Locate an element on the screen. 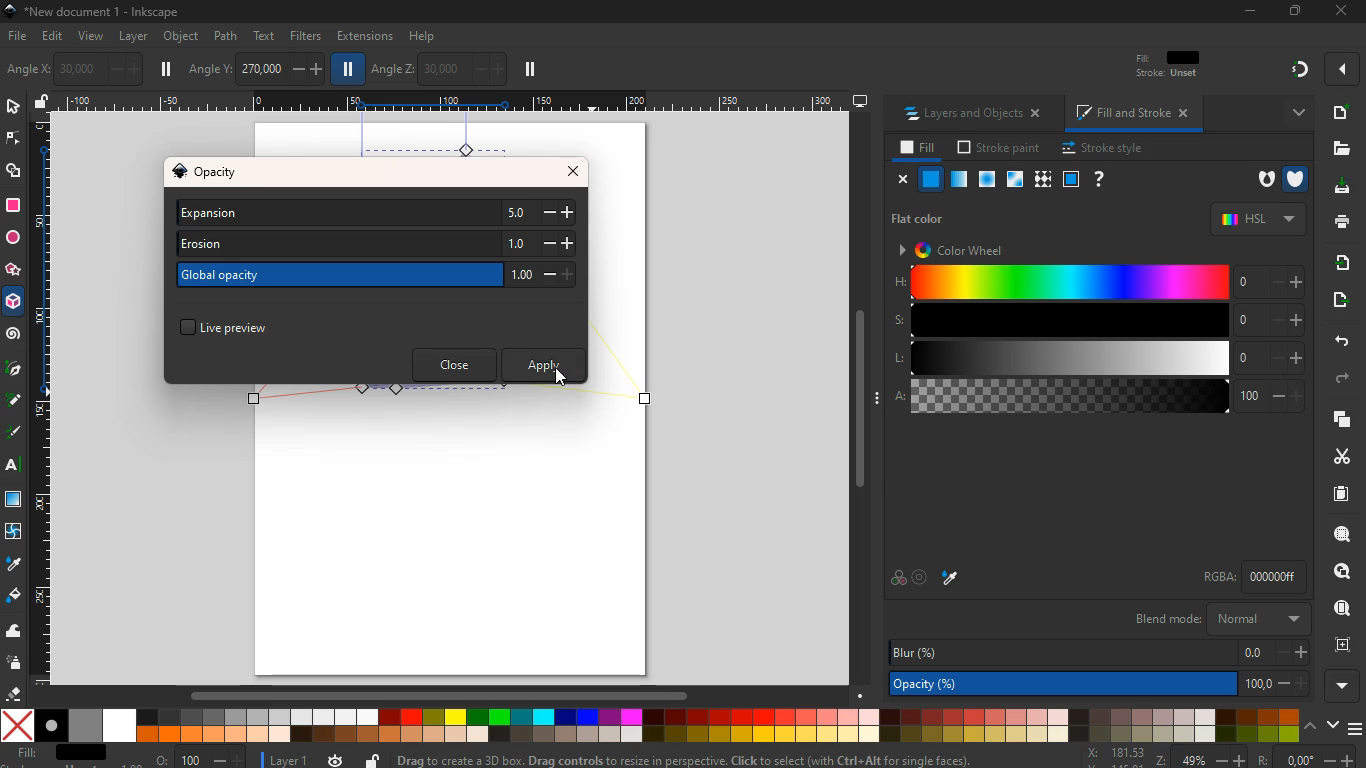  unlock is located at coordinates (372, 758).